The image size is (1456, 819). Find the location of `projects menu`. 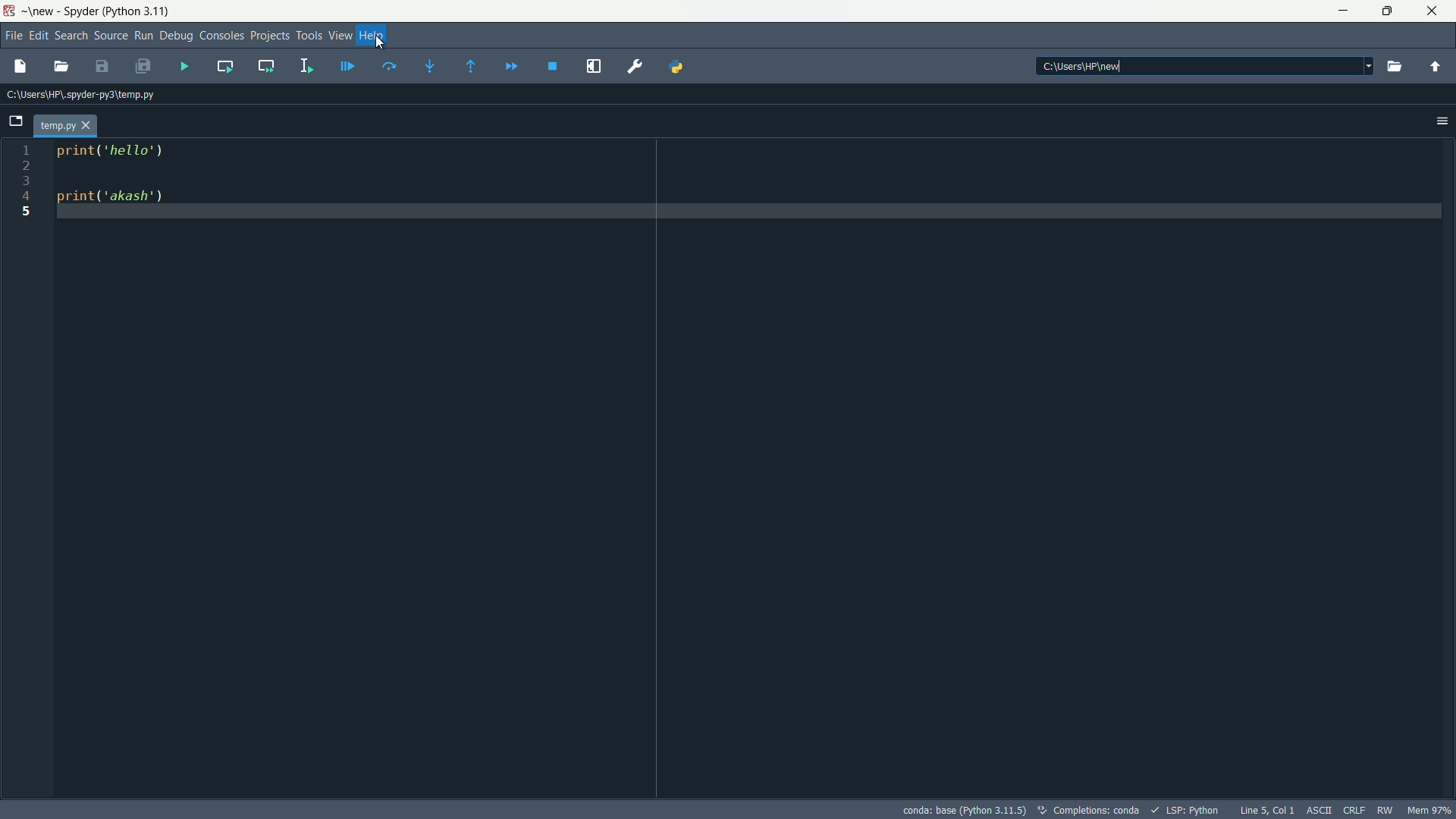

projects menu is located at coordinates (269, 36).